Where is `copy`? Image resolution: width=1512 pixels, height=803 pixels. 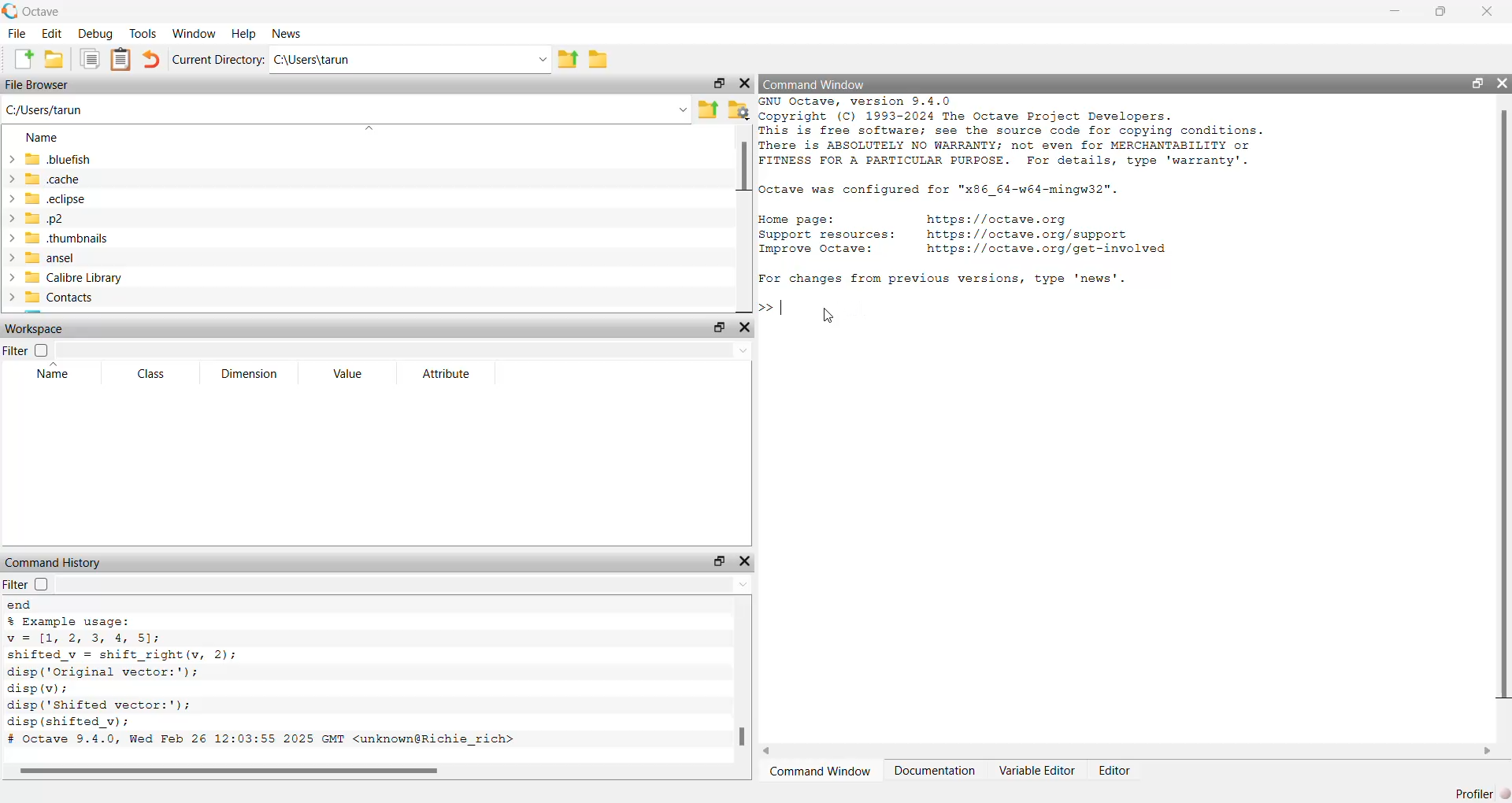 copy is located at coordinates (87, 61).